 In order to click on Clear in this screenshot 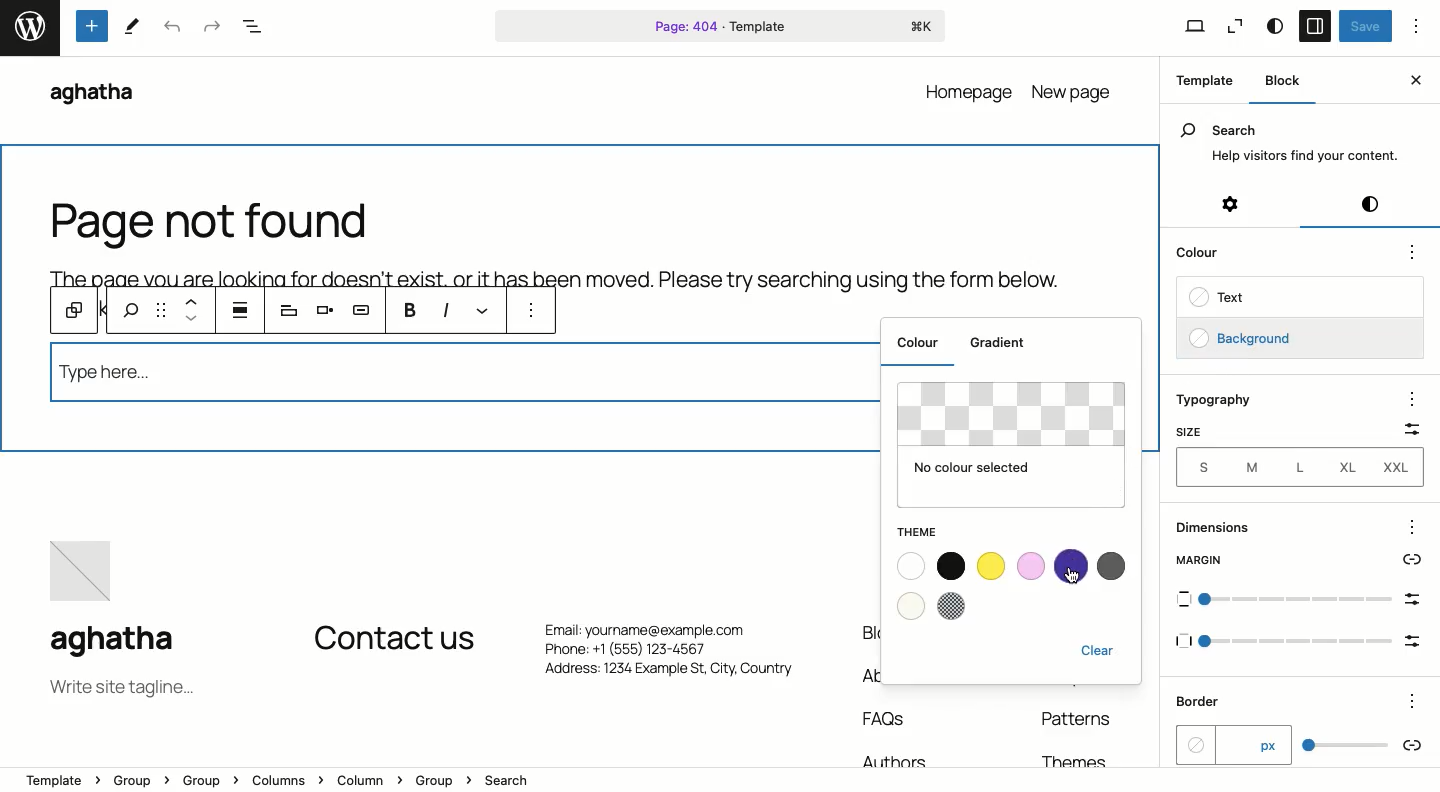, I will do `click(1101, 649)`.